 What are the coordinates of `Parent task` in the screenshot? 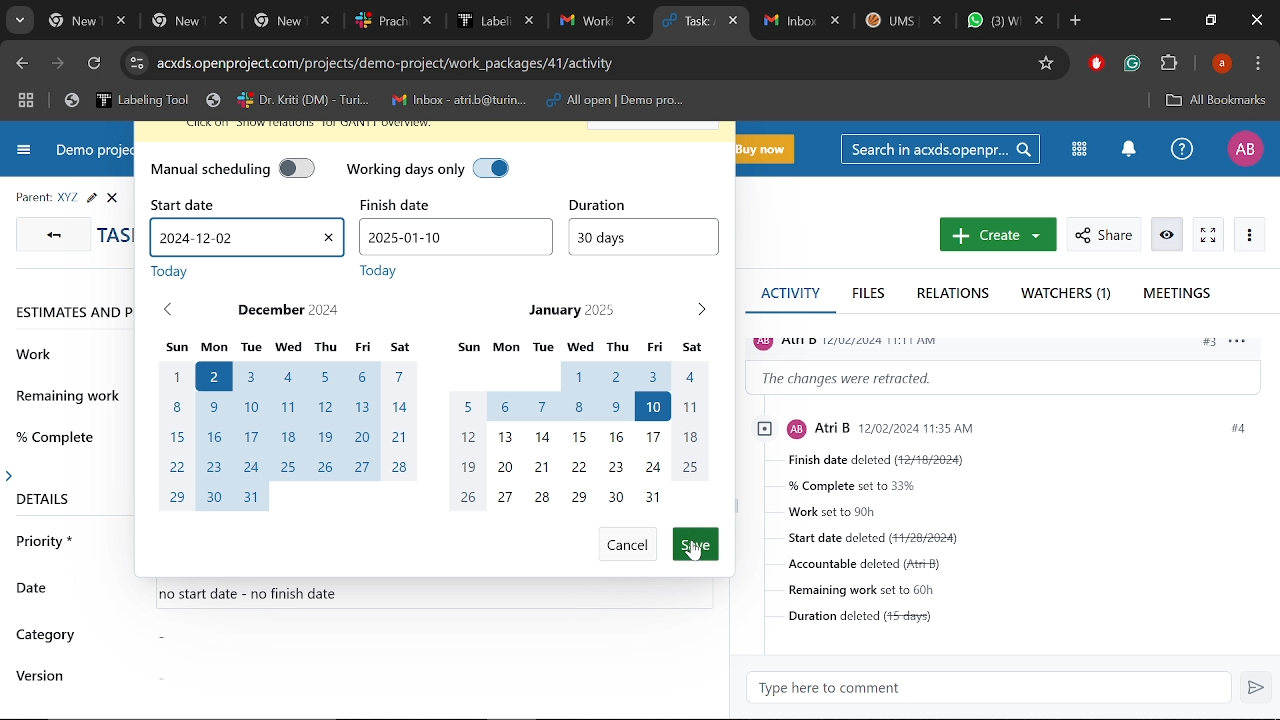 It's located at (68, 198).